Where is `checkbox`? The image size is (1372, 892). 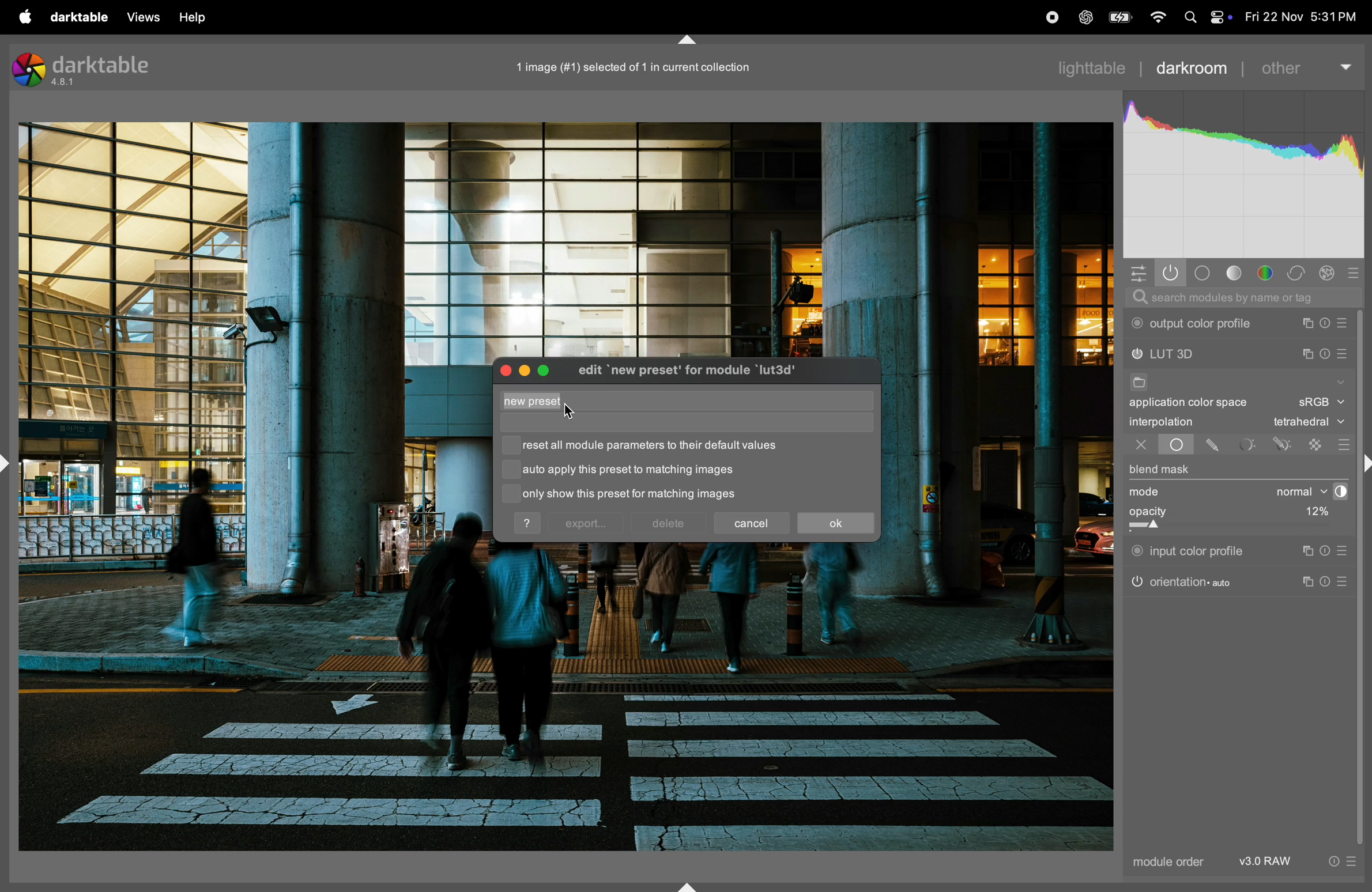
checkbox is located at coordinates (508, 493).